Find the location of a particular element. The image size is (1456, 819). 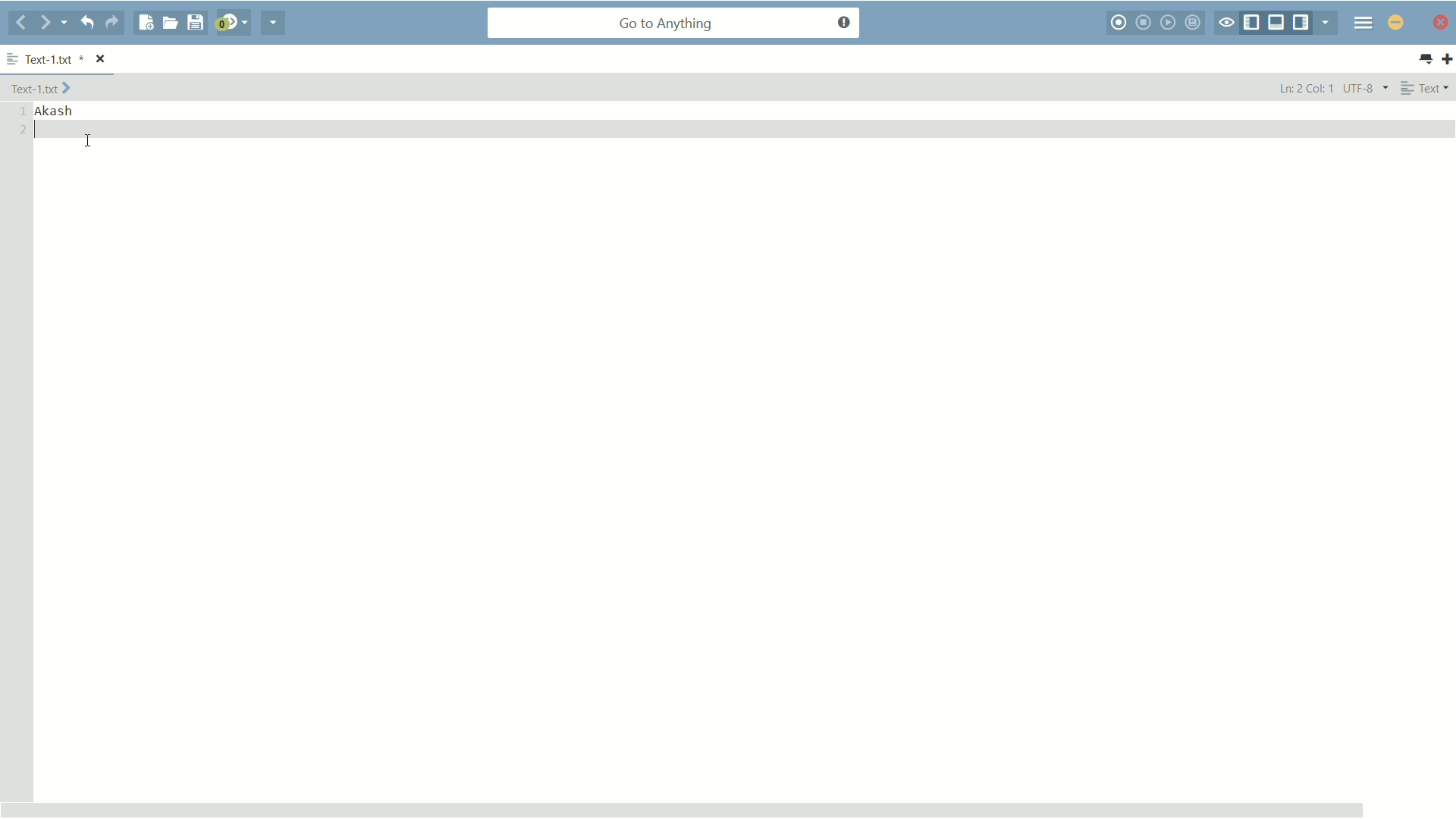

save file is located at coordinates (196, 23).